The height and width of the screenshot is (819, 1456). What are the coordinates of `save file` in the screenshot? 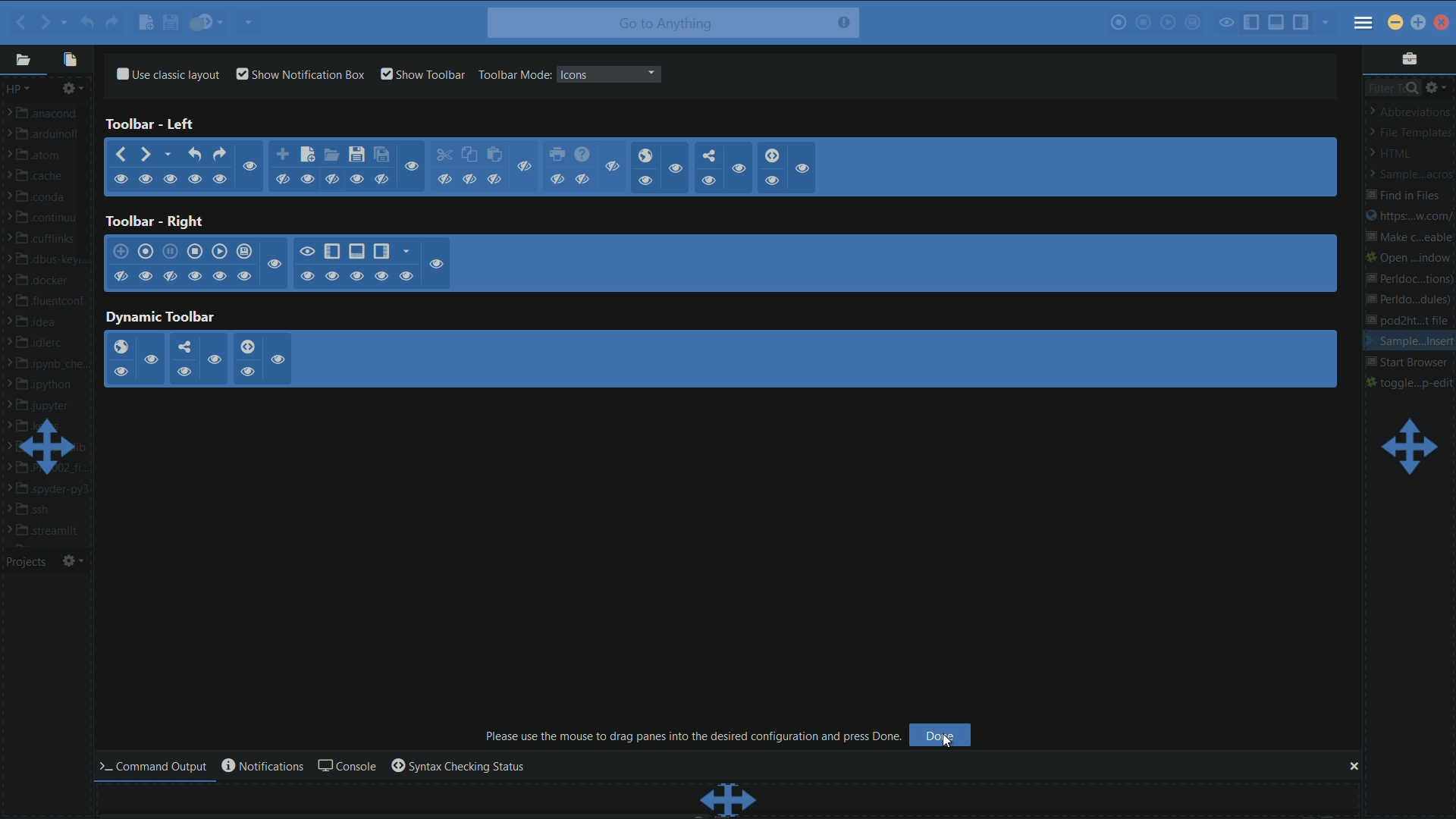 It's located at (357, 155).